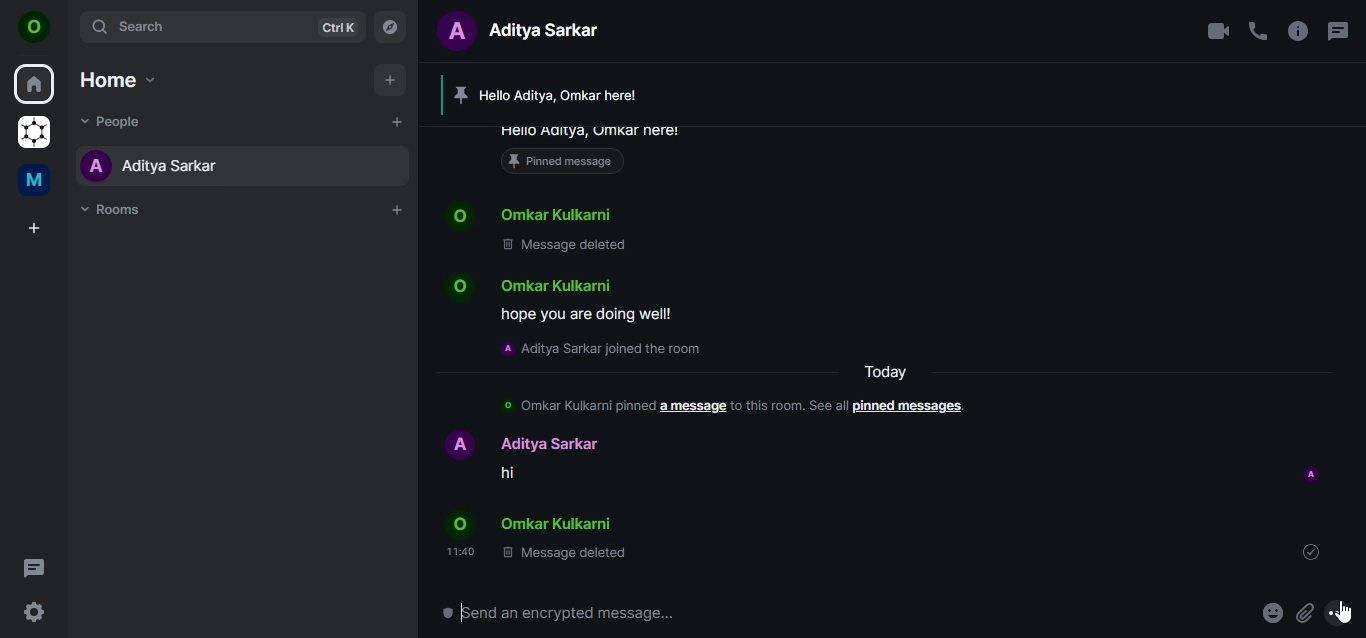 Image resolution: width=1366 pixels, height=638 pixels. Describe the element at coordinates (541, 497) in the screenshot. I see `Name hi Name © Message deleted` at that location.